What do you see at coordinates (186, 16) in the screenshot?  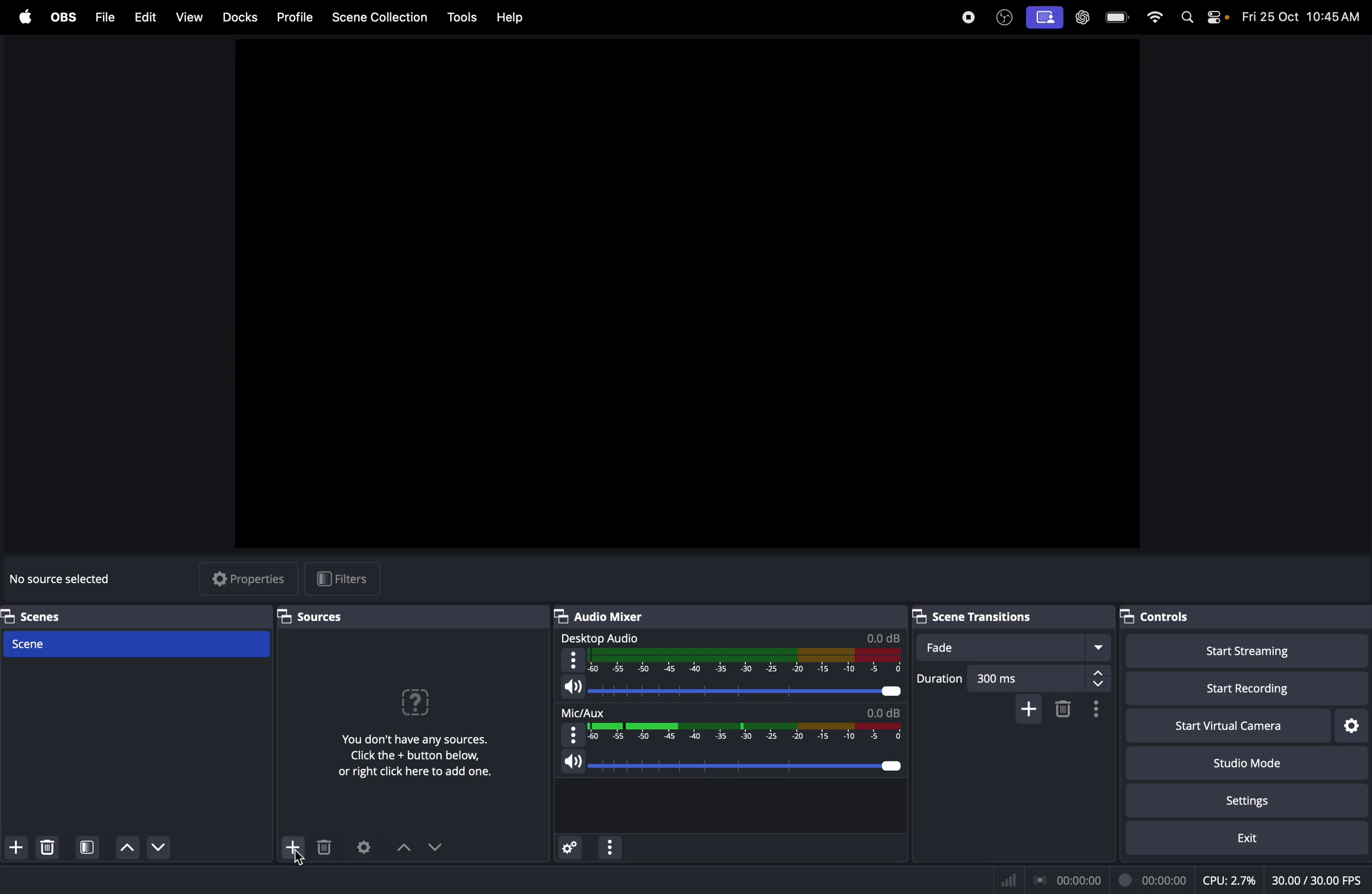 I see `view` at bounding box center [186, 16].